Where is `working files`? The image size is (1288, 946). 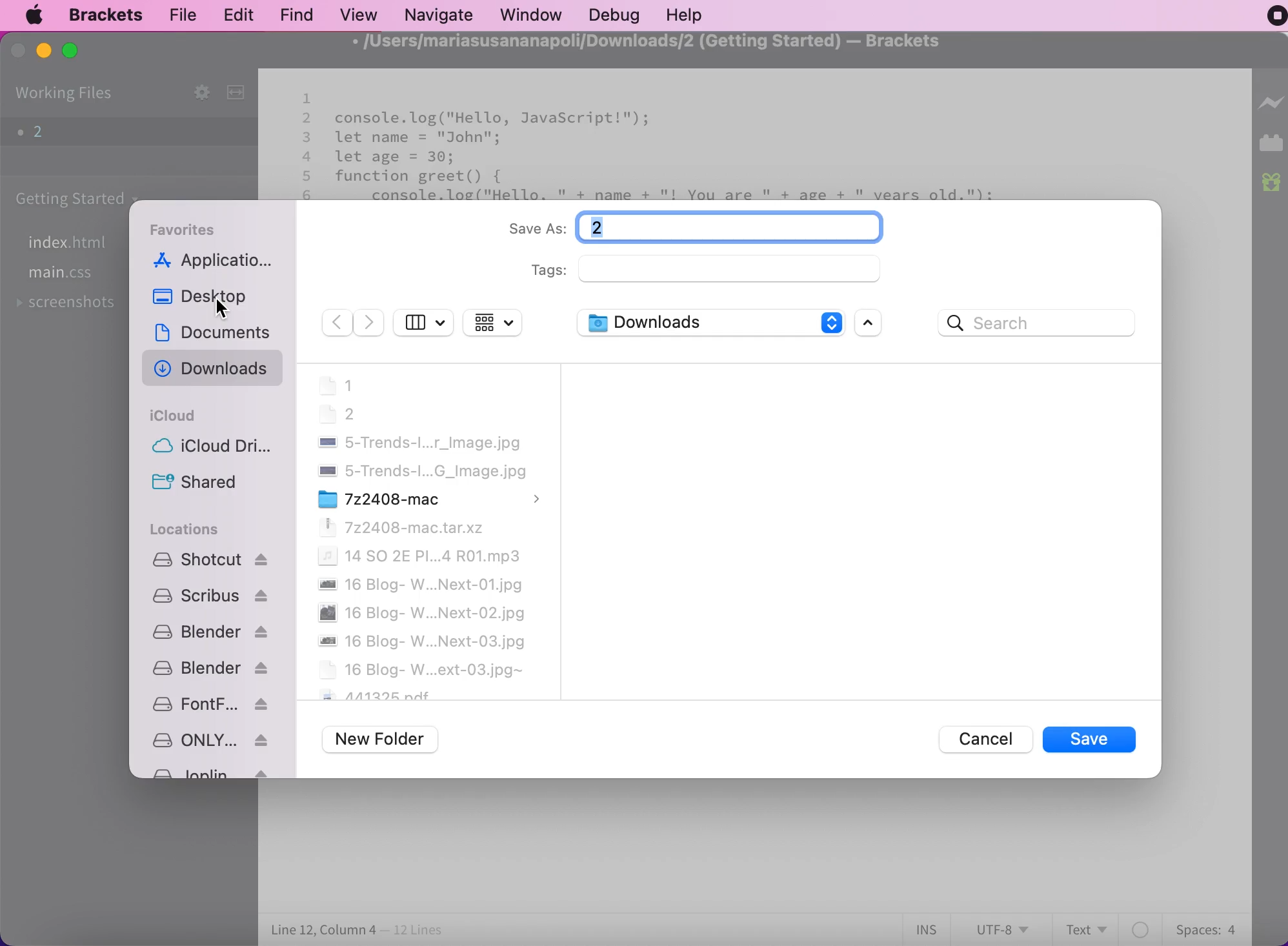 working files is located at coordinates (66, 94).